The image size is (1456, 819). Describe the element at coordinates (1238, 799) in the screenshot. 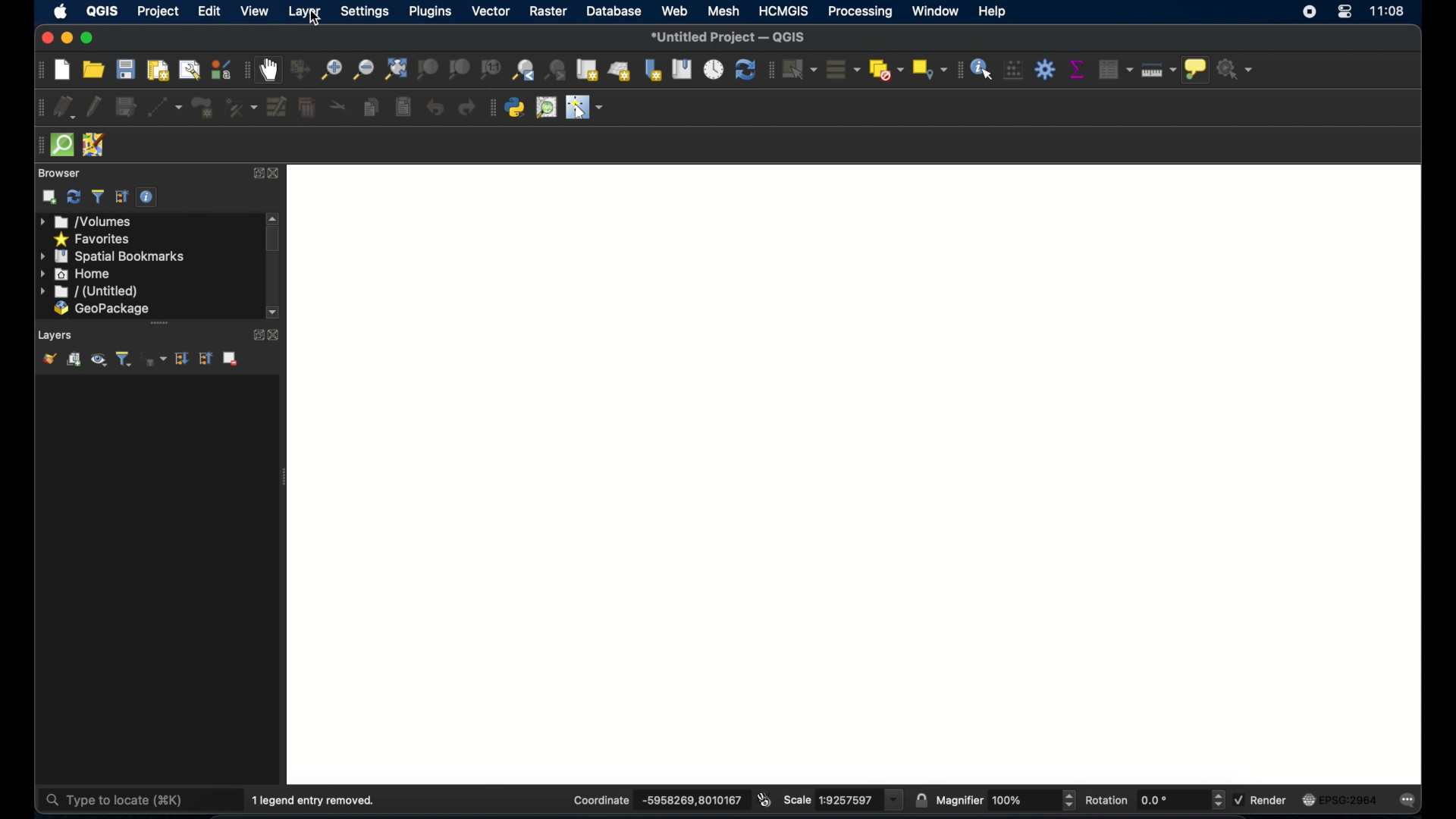

I see `checkbox` at that location.